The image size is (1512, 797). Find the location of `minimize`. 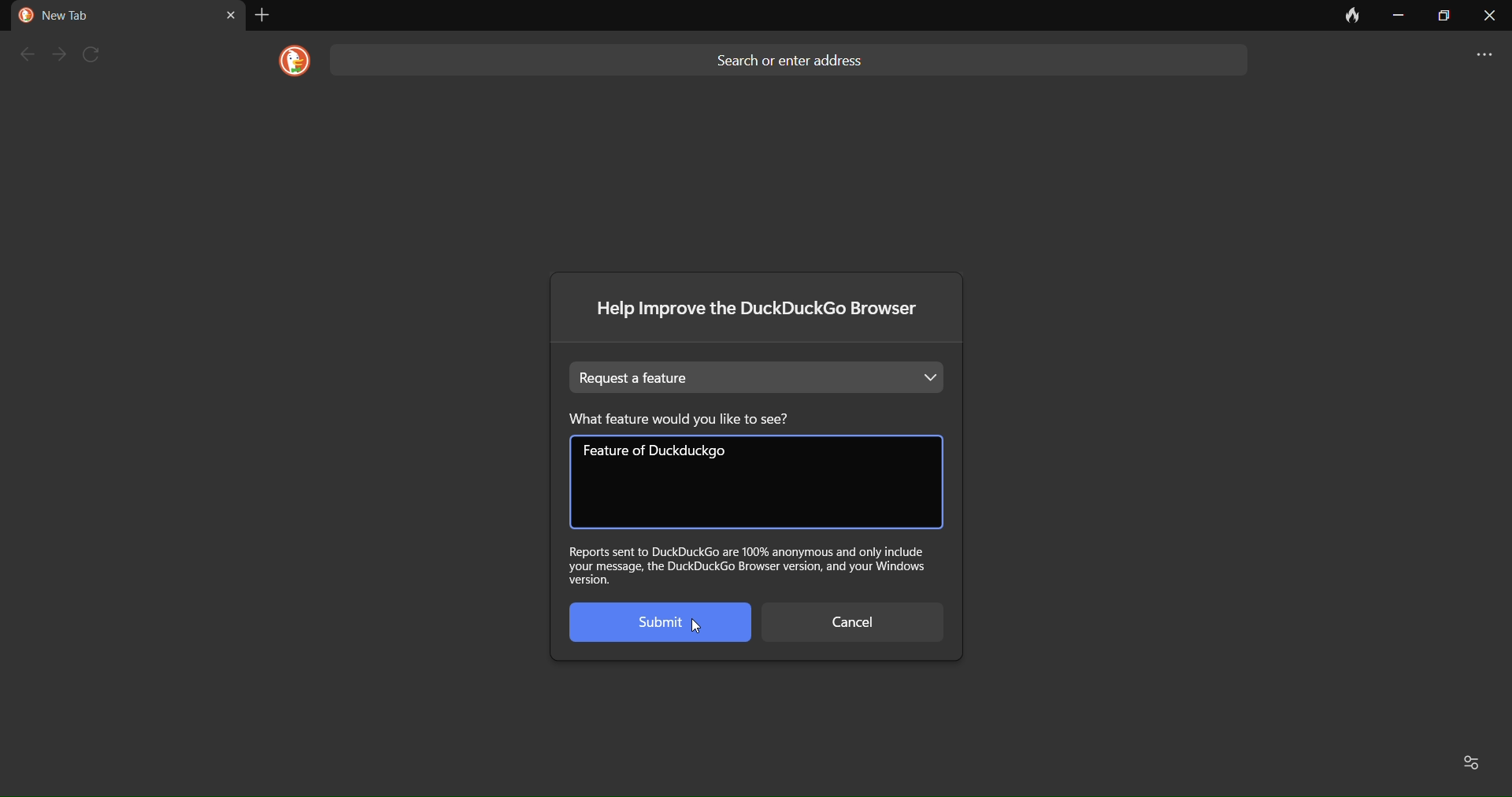

minimize is located at coordinates (1397, 16).